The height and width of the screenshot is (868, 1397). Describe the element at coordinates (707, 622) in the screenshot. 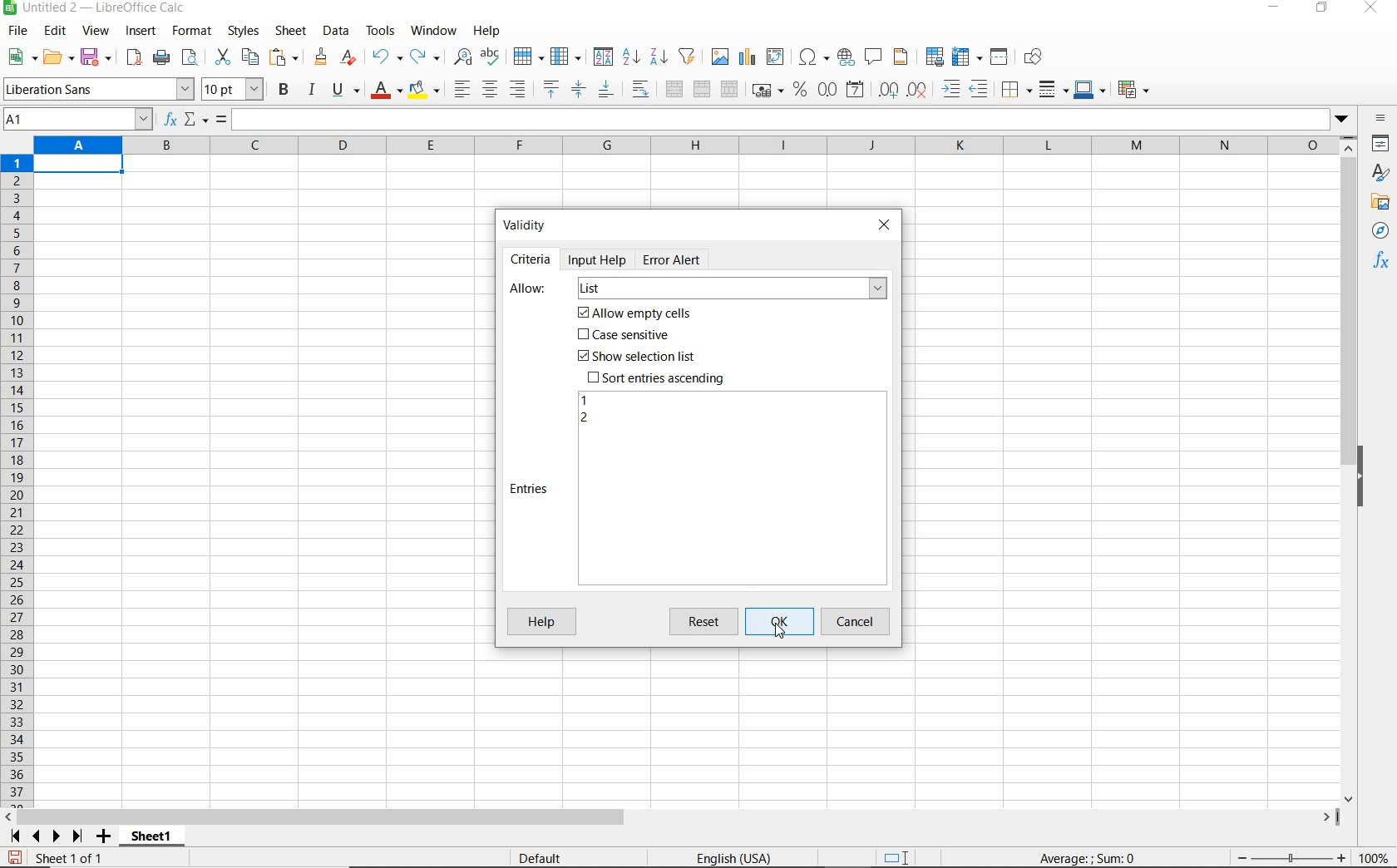

I see `reset` at that location.